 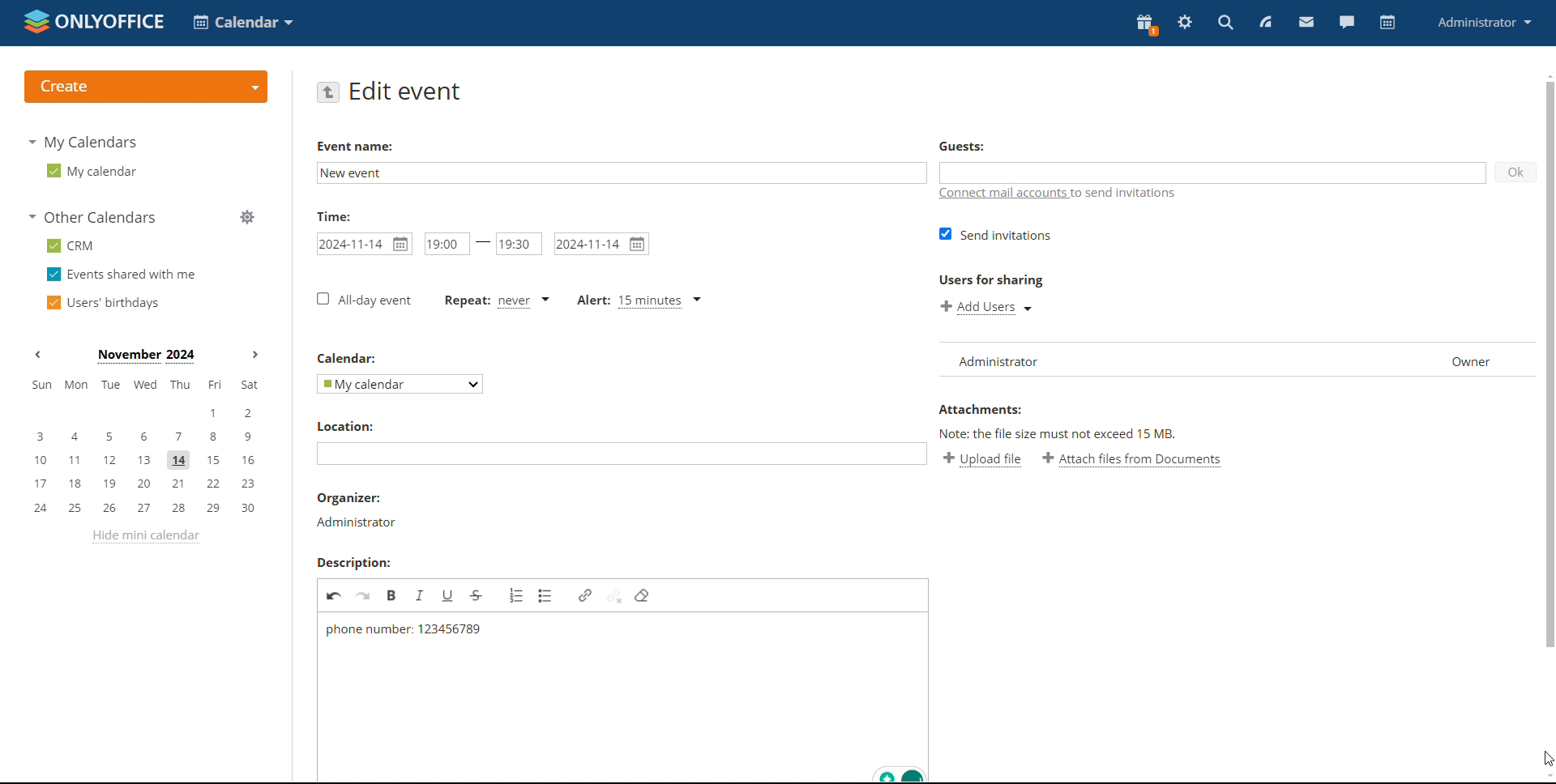 What do you see at coordinates (94, 23) in the screenshot?
I see `logo` at bounding box center [94, 23].